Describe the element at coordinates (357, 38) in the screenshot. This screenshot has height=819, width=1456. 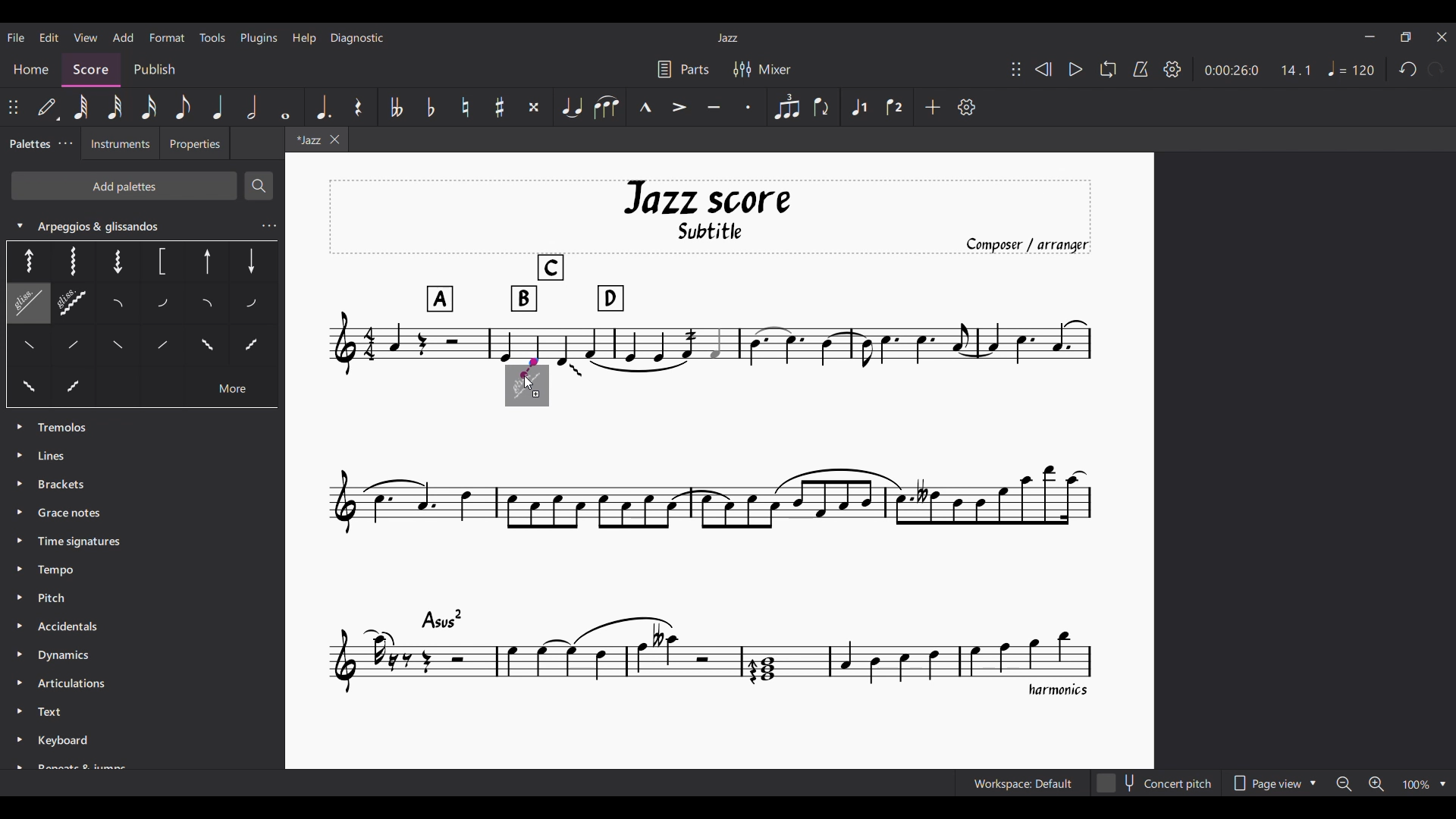
I see `Diagnostic menu` at that location.